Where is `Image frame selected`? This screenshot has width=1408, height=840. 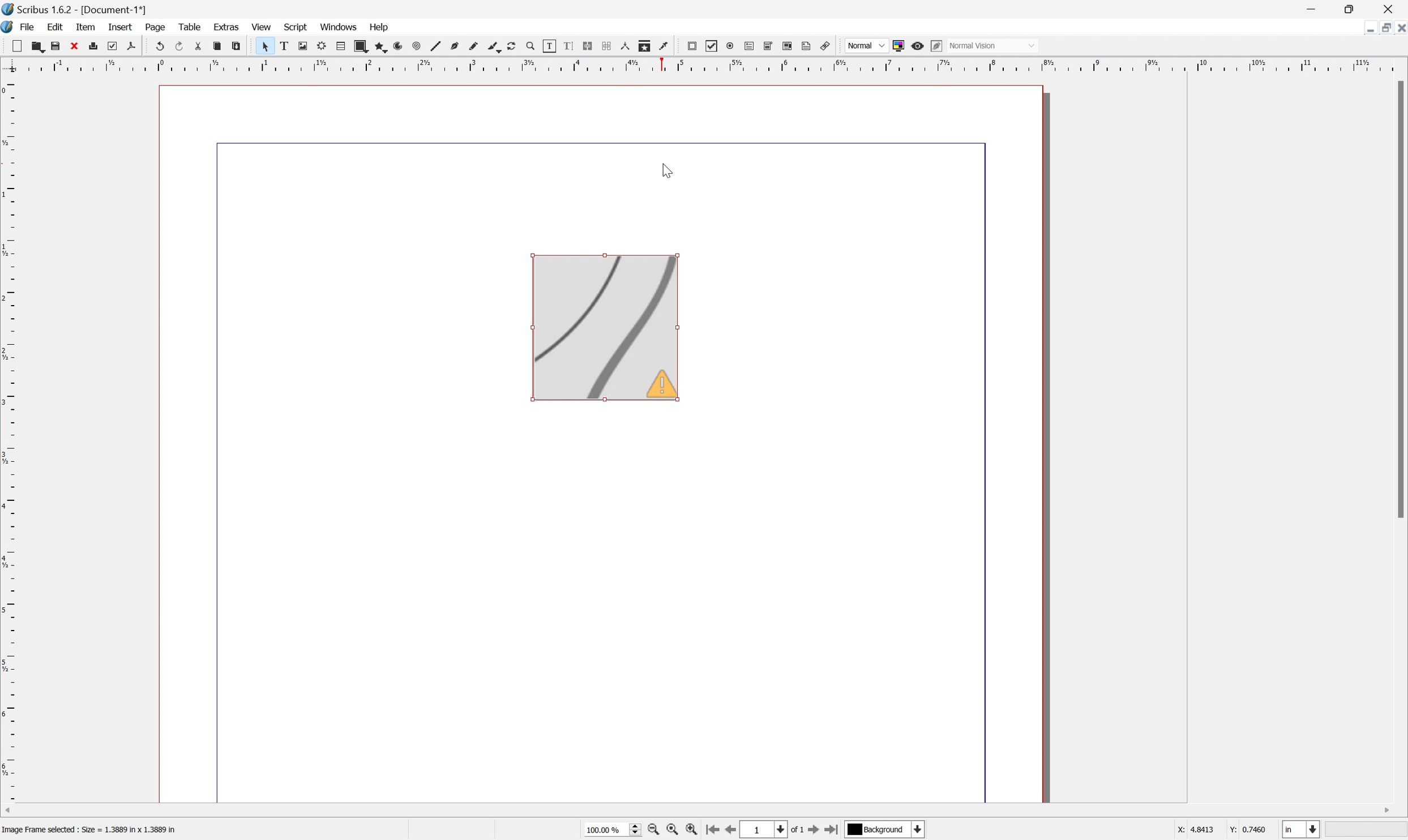
Image frame selected is located at coordinates (92, 831).